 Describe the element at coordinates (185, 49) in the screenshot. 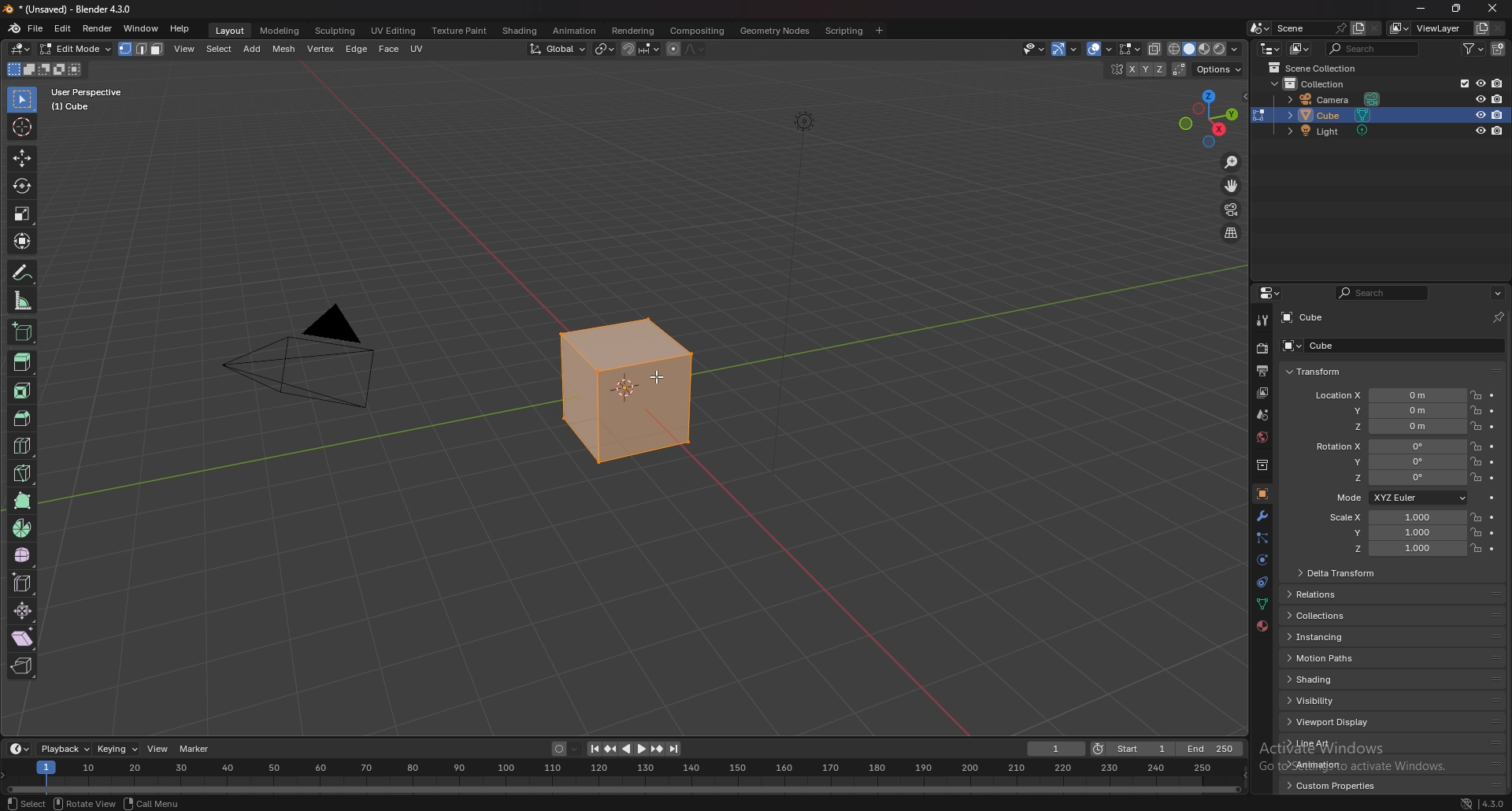

I see `view` at that location.